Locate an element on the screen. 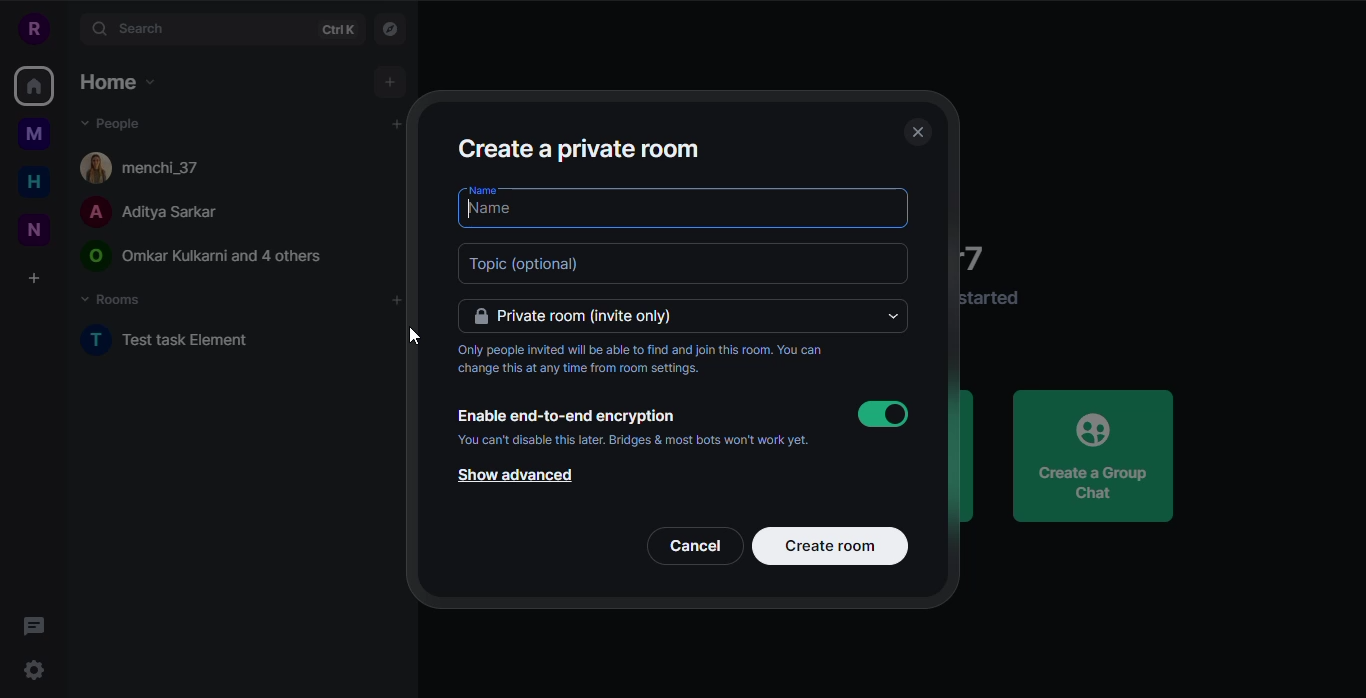  home is located at coordinates (32, 88).